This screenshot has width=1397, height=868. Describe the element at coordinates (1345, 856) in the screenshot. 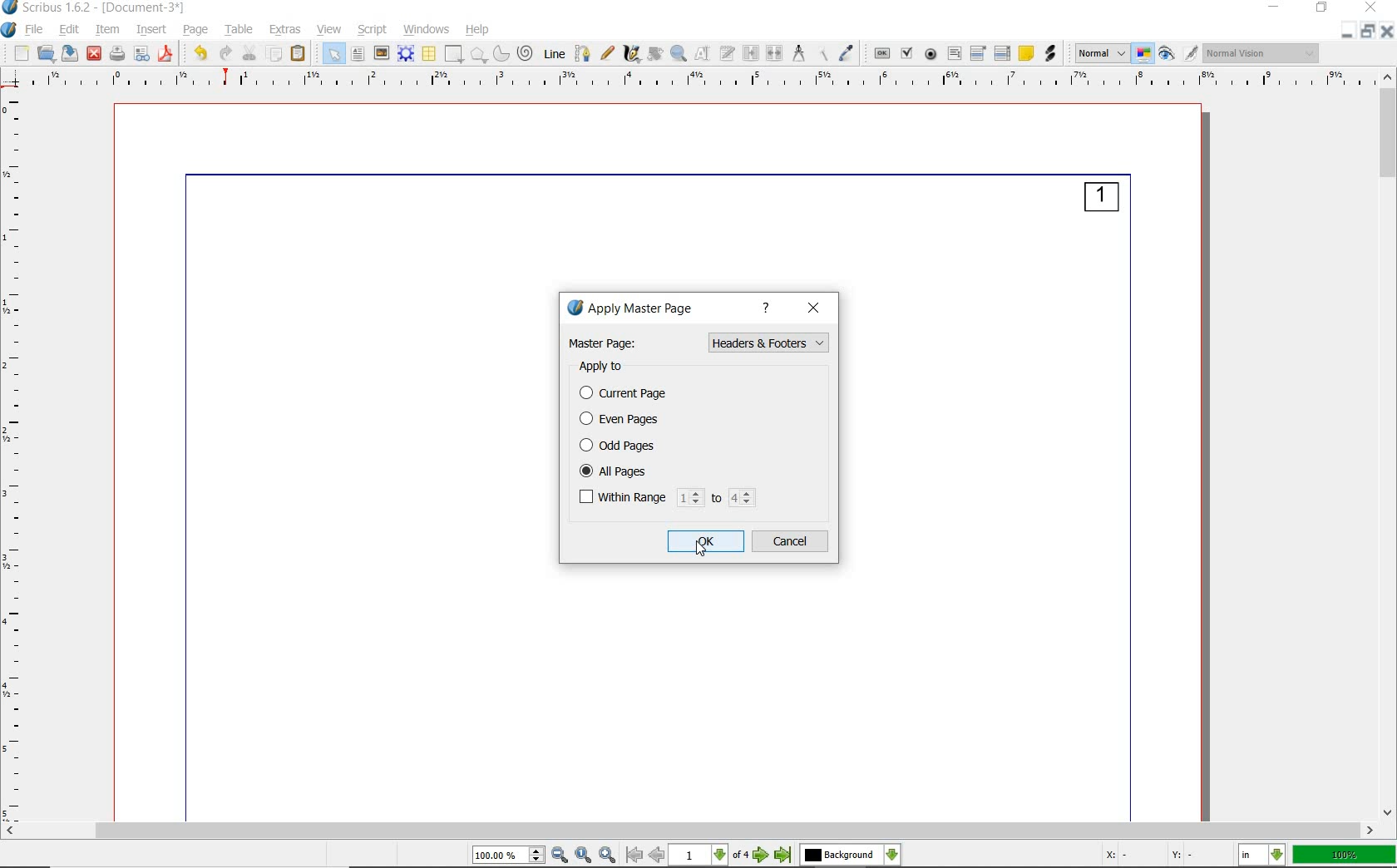

I see `100%` at that location.